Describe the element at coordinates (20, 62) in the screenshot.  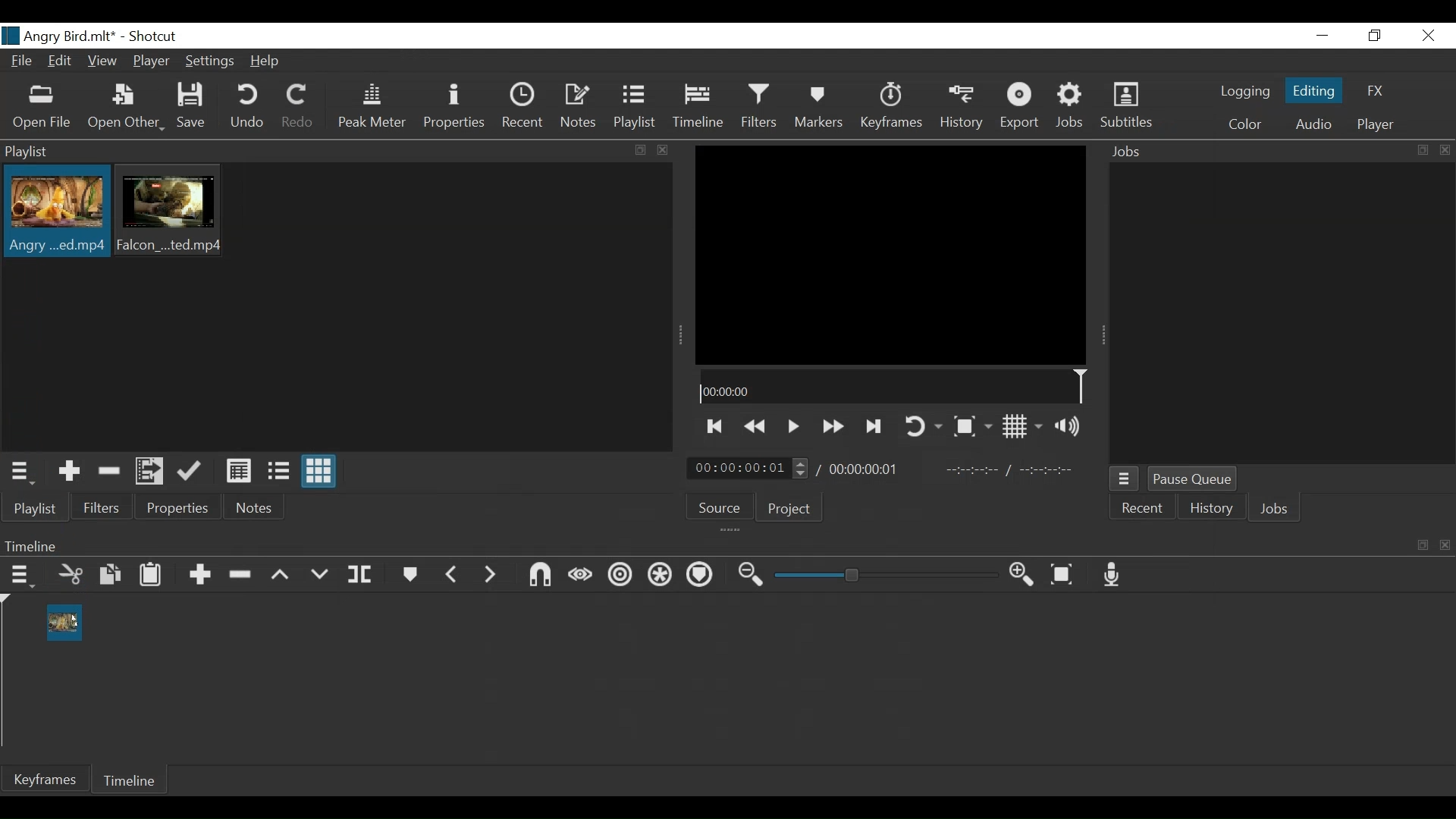
I see `File` at that location.